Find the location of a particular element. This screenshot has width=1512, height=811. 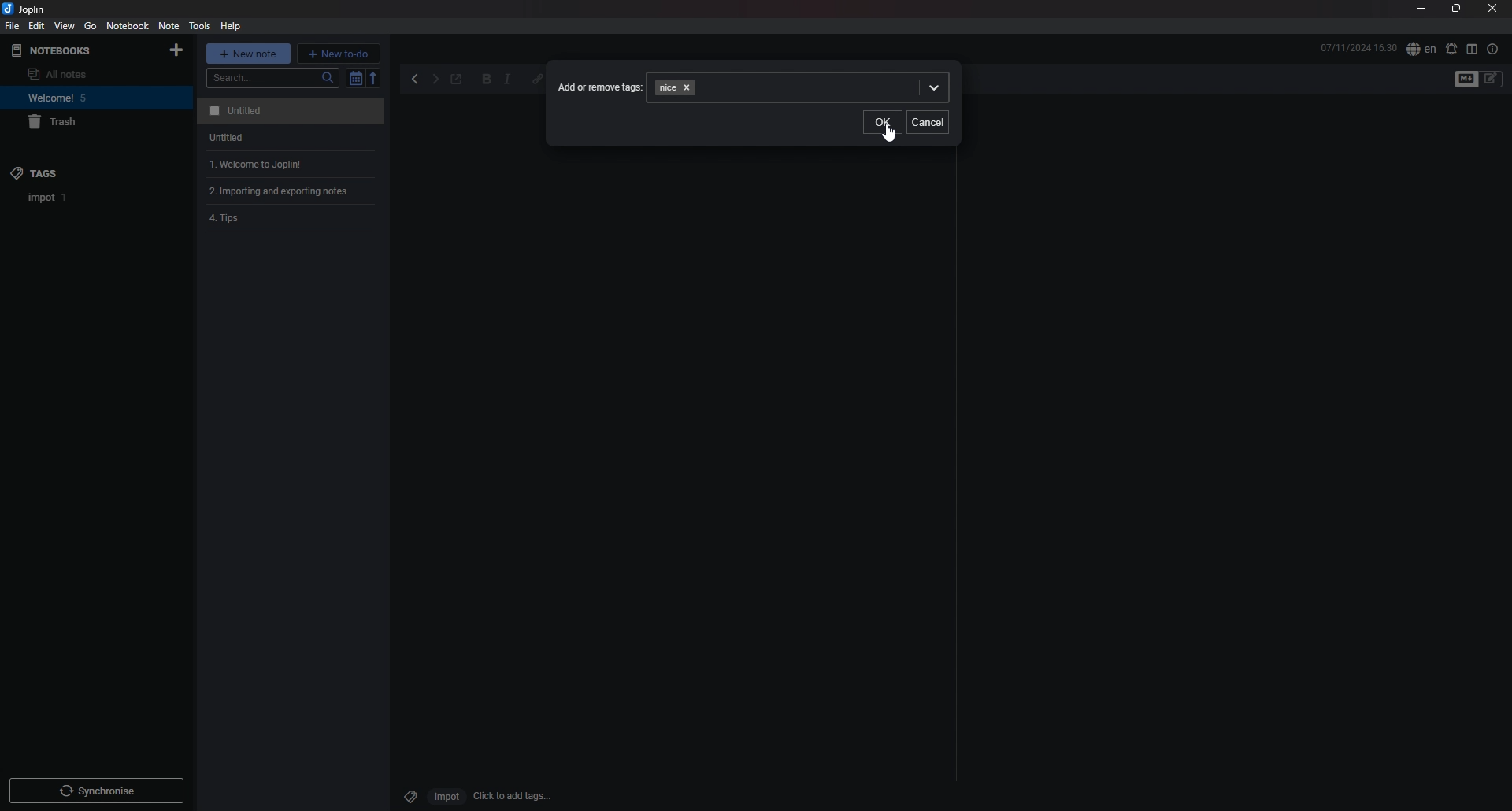

note properties is located at coordinates (1492, 49).